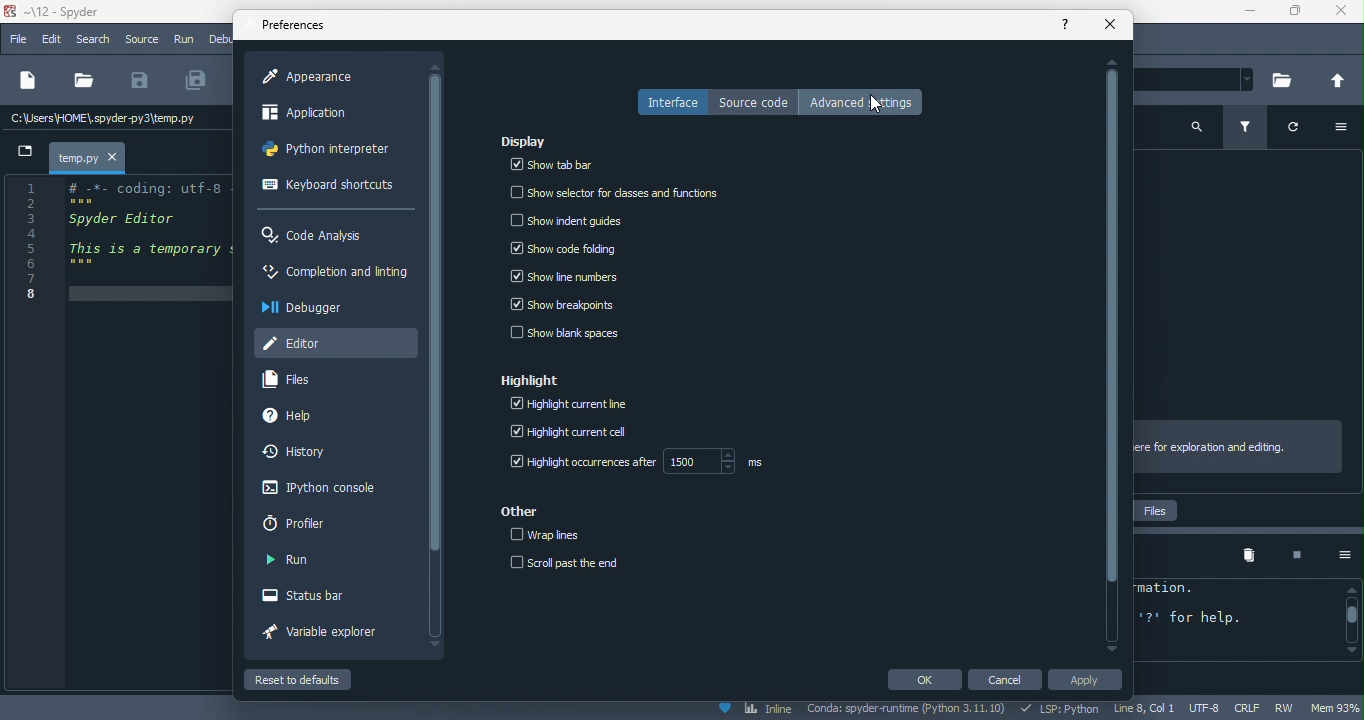 This screenshot has height=720, width=1364. What do you see at coordinates (525, 511) in the screenshot?
I see `other` at bounding box center [525, 511].